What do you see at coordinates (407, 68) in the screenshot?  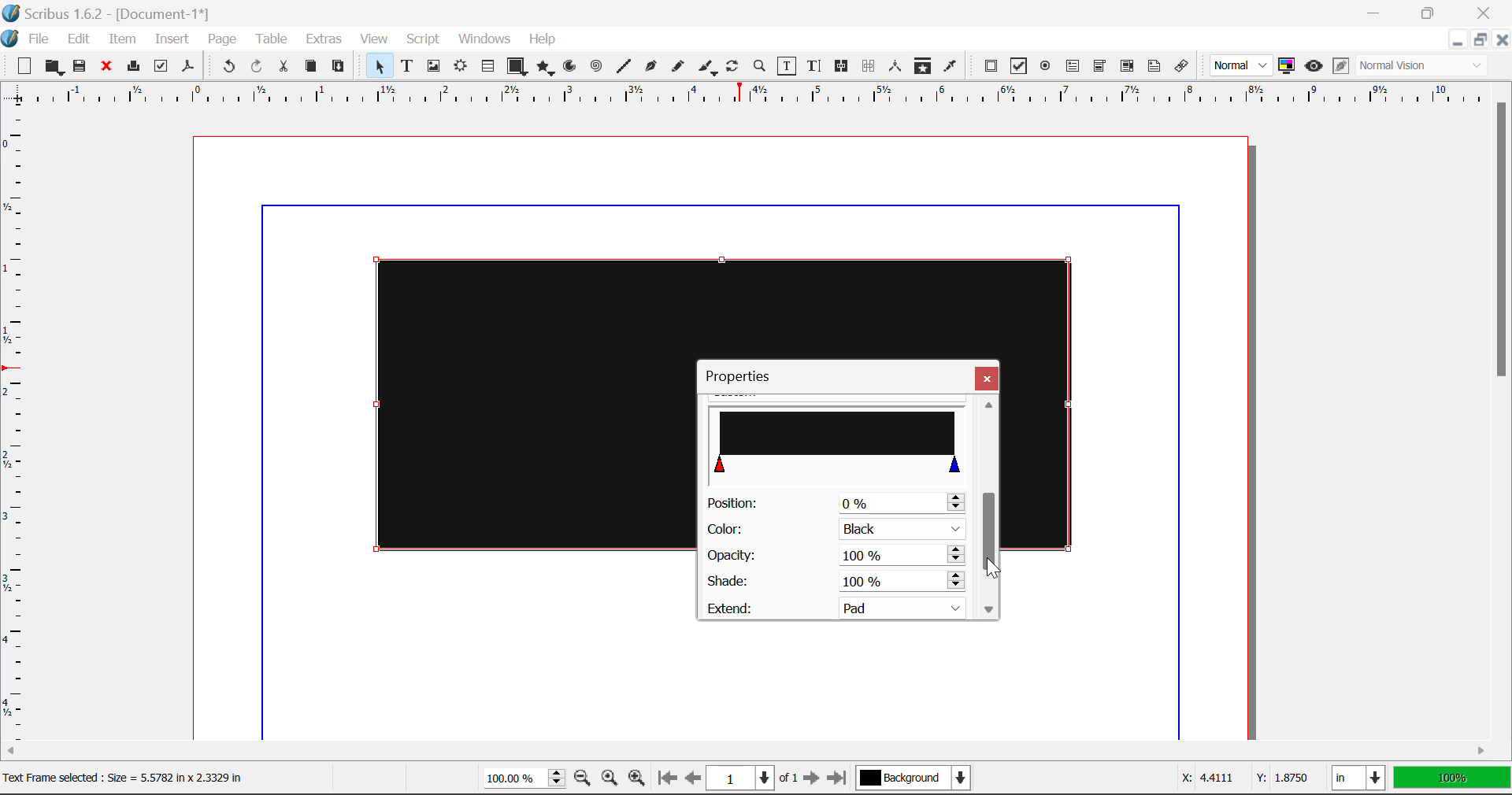 I see `Text Frames` at bounding box center [407, 68].